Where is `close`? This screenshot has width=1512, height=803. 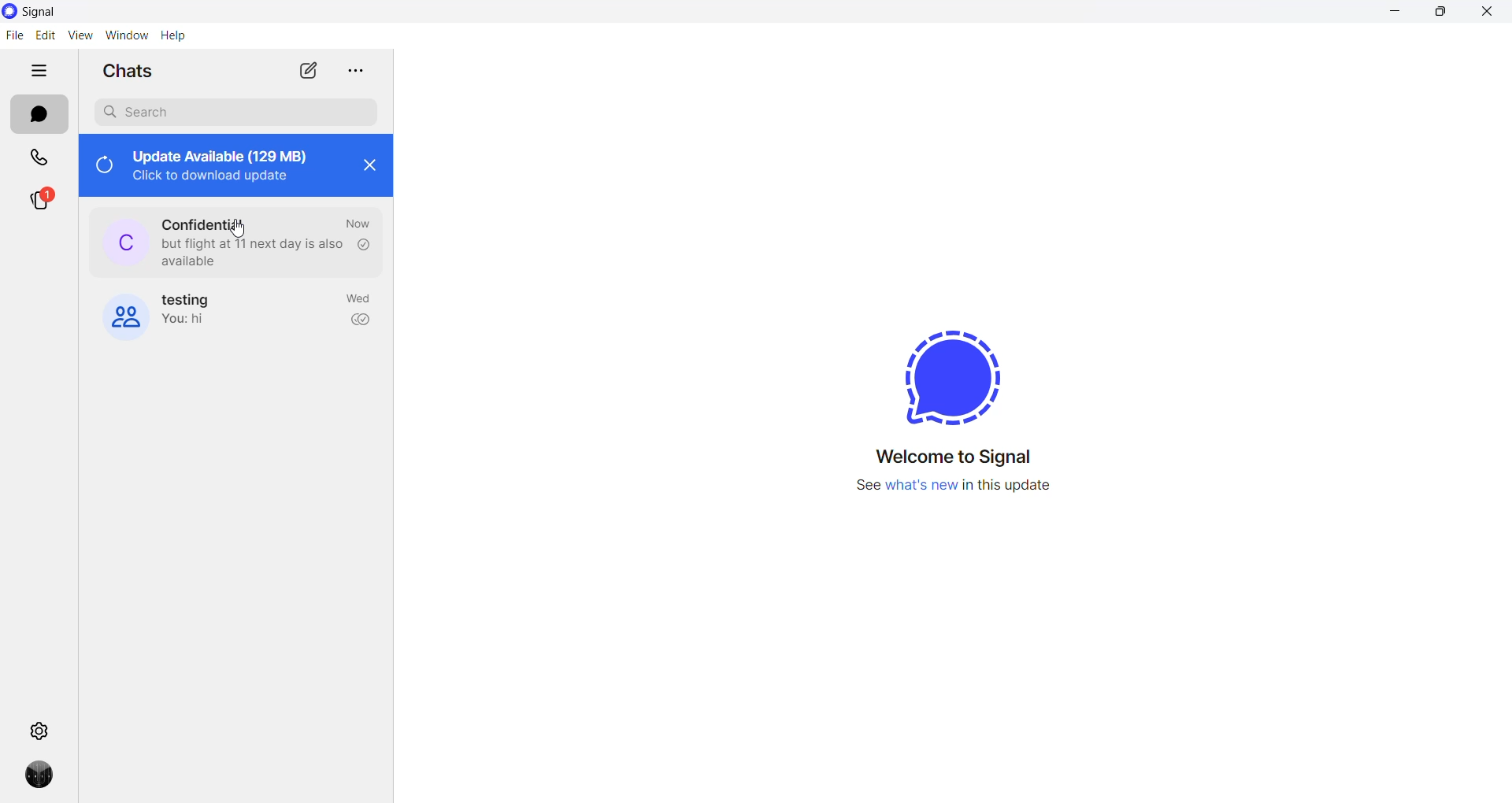 close is located at coordinates (369, 170).